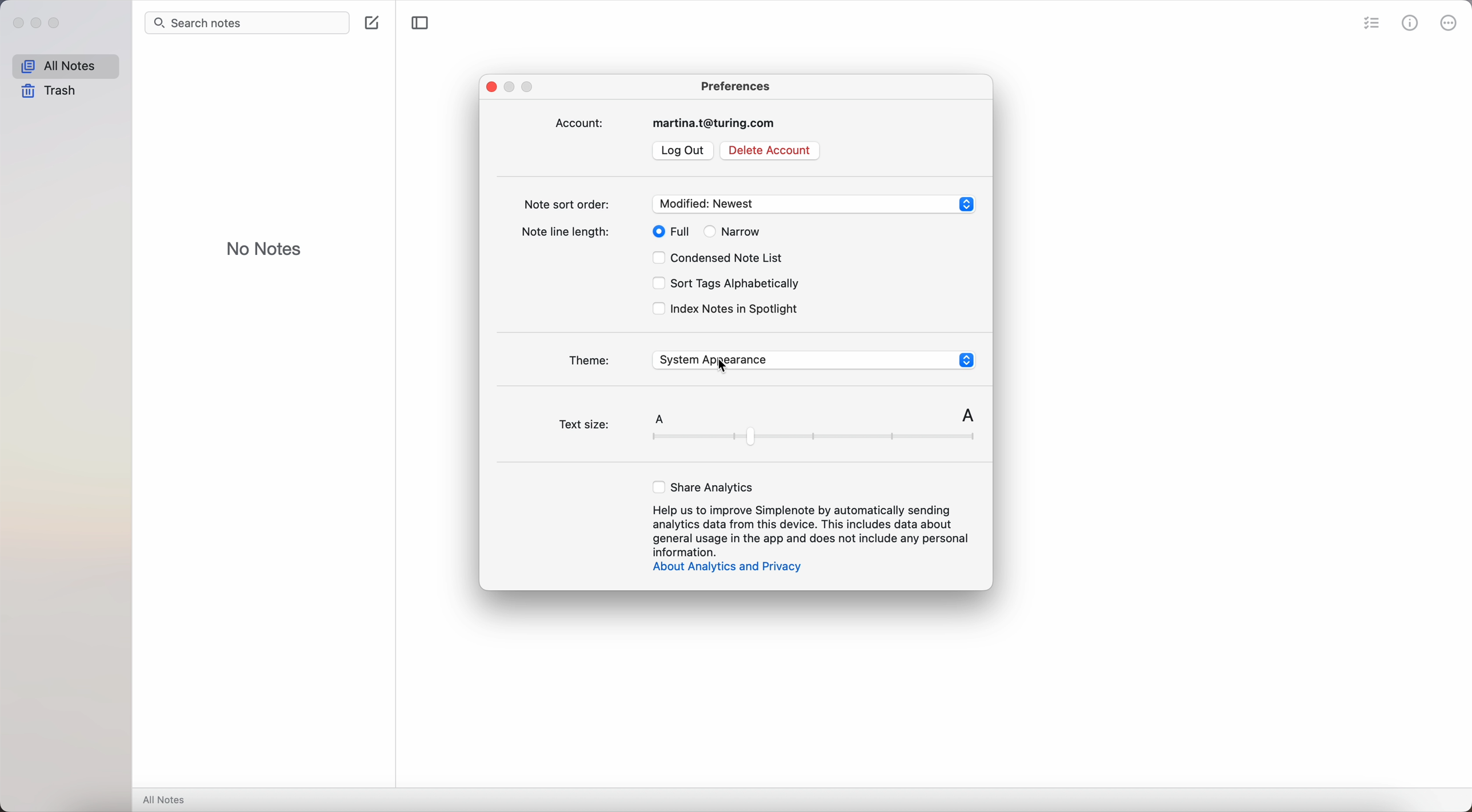 This screenshot has height=812, width=1472. Describe the element at coordinates (769, 360) in the screenshot. I see `theme` at that location.